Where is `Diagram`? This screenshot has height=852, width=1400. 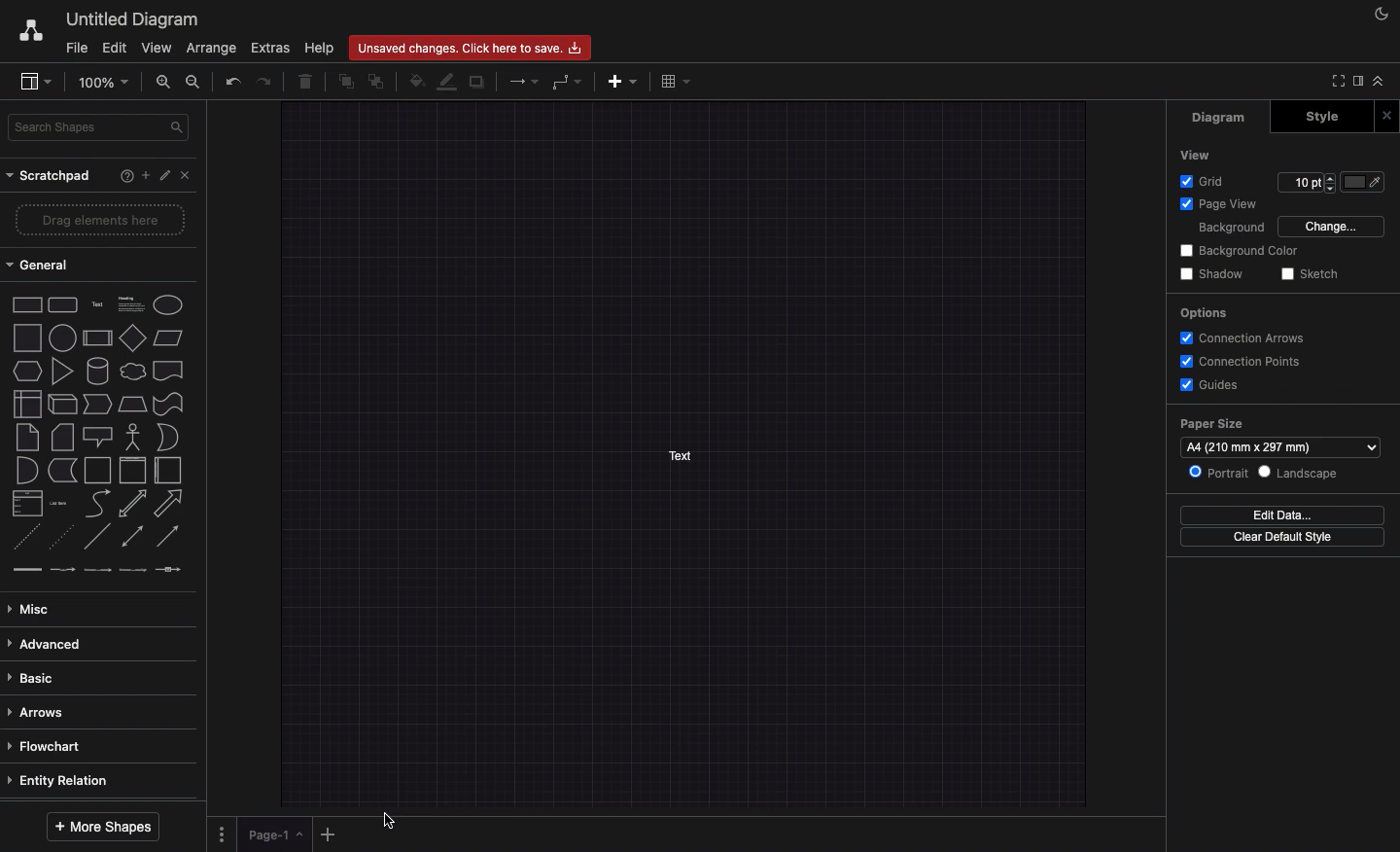 Diagram is located at coordinates (1221, 119).